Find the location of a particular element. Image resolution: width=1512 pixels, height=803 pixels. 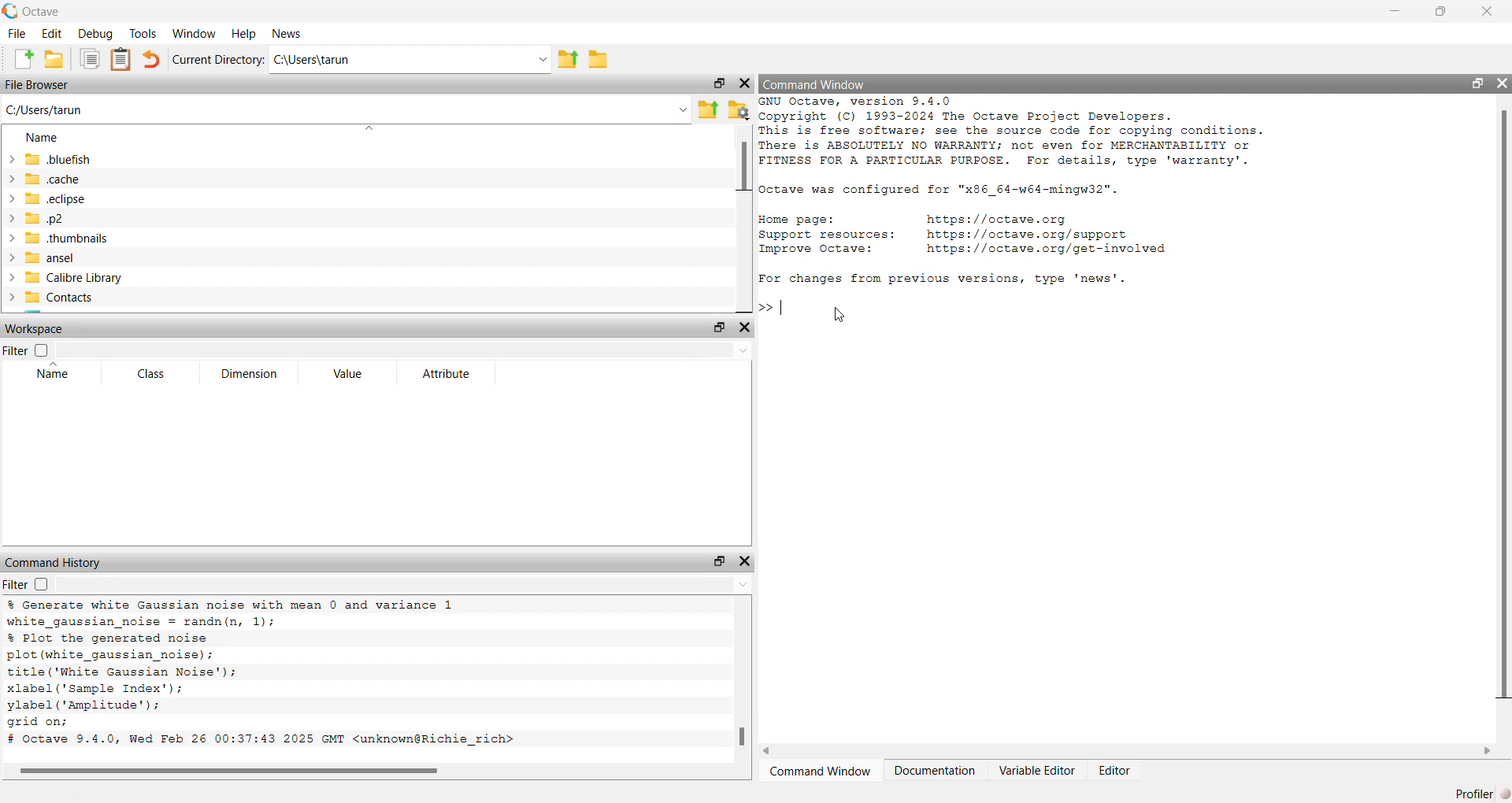

edit is located at coordinates (53, 33).